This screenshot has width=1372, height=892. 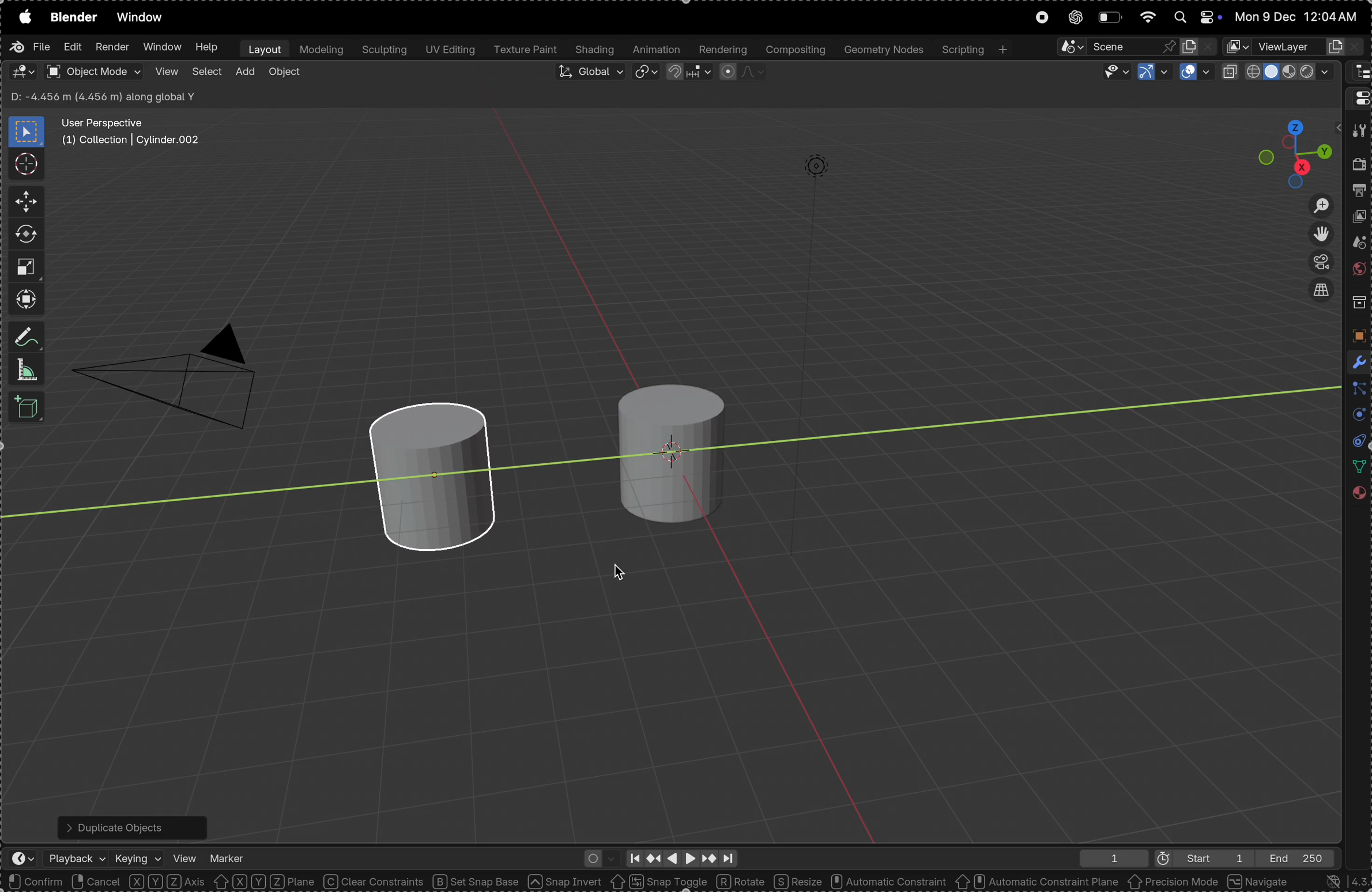 I want to click on select, so click(x=206, y=74).